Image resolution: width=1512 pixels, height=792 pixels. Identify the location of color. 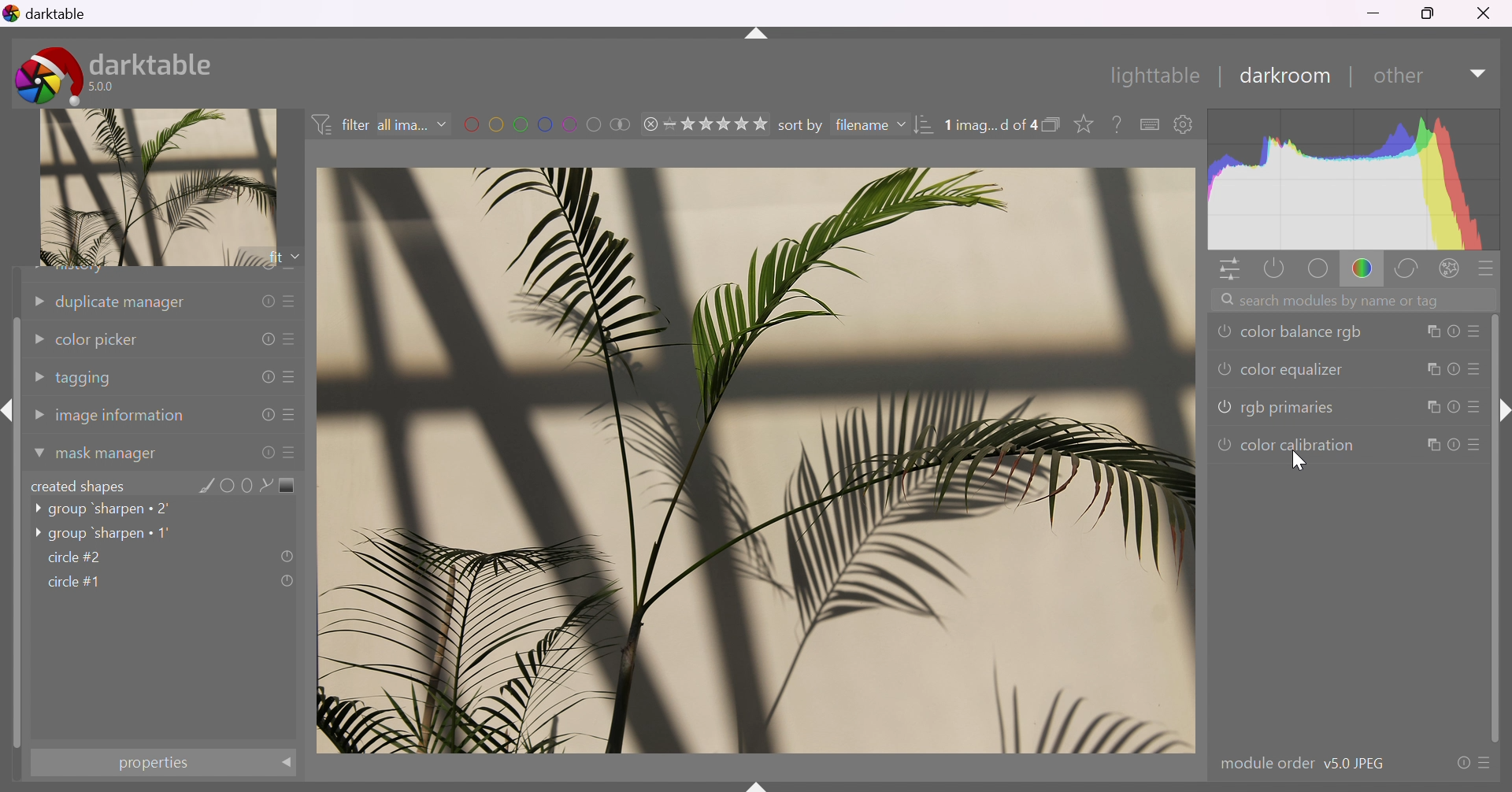
(1361, 268).